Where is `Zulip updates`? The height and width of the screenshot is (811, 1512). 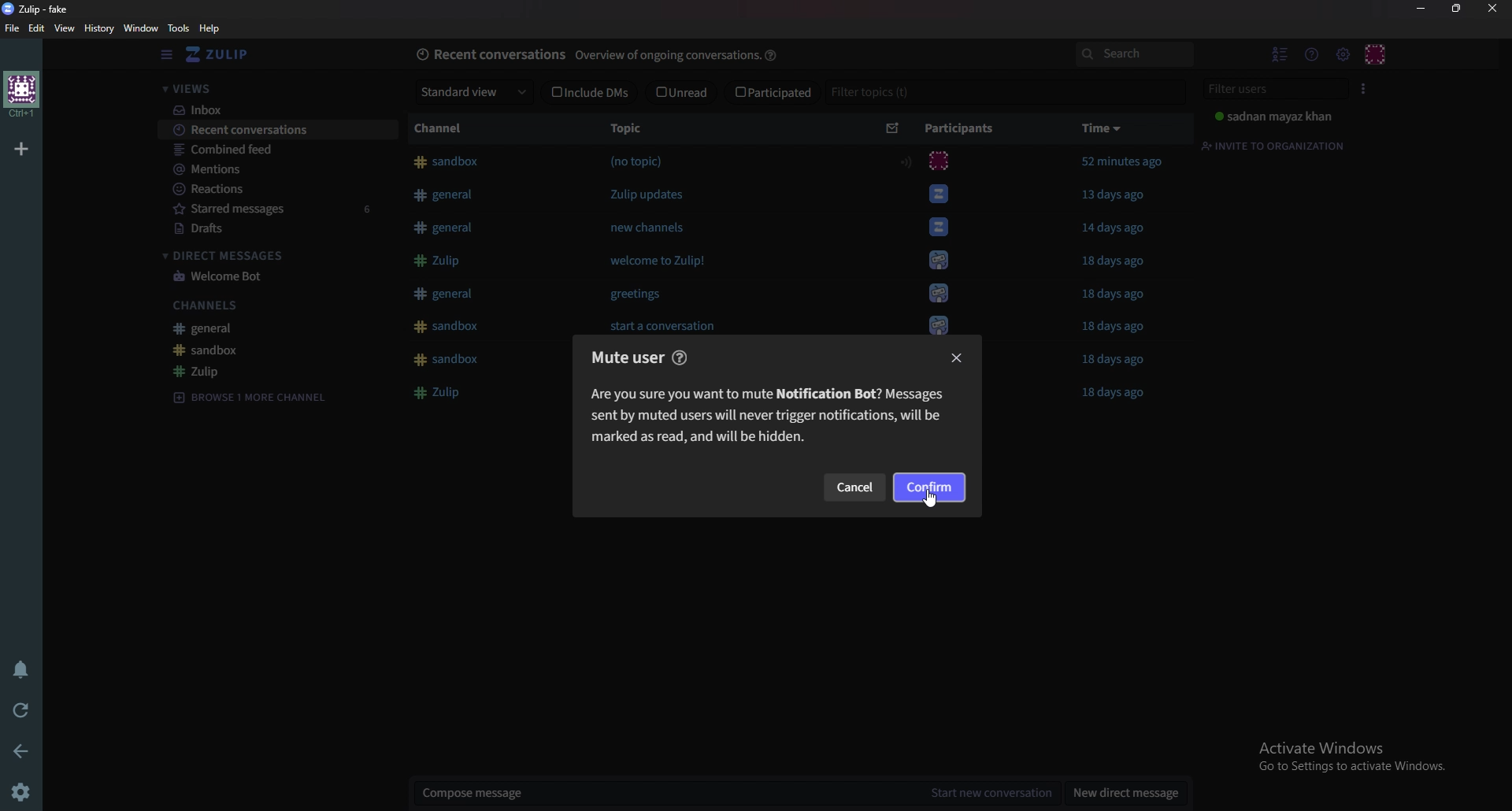 Zulip updates is located at coordinates (656, 194).